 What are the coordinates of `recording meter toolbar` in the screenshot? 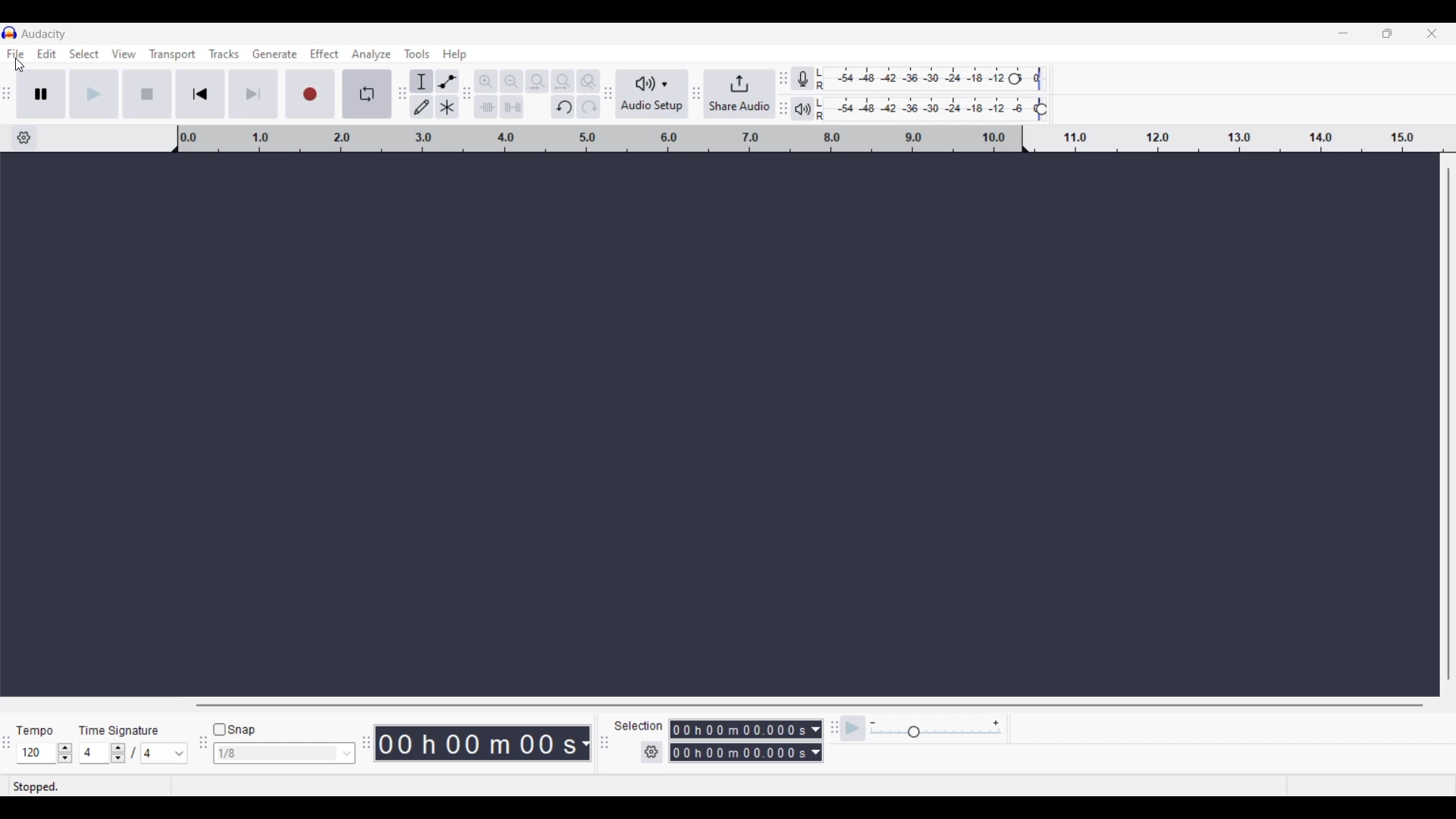 It's located at (783, 73).